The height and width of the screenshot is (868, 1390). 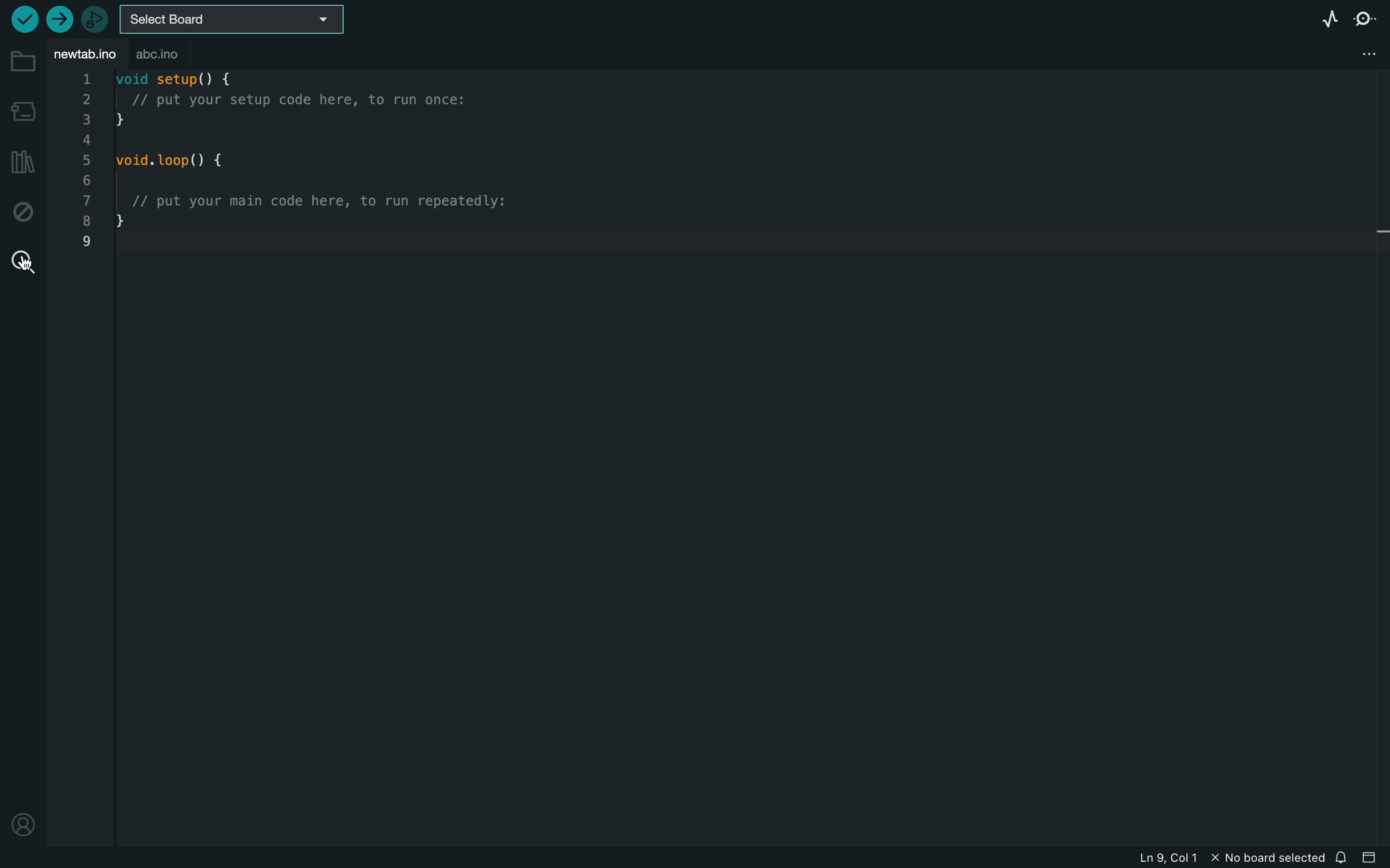 What do you see at coordinates (94, 19) in the screenshot?
I see `debugger` at bounding box center [94, 19].